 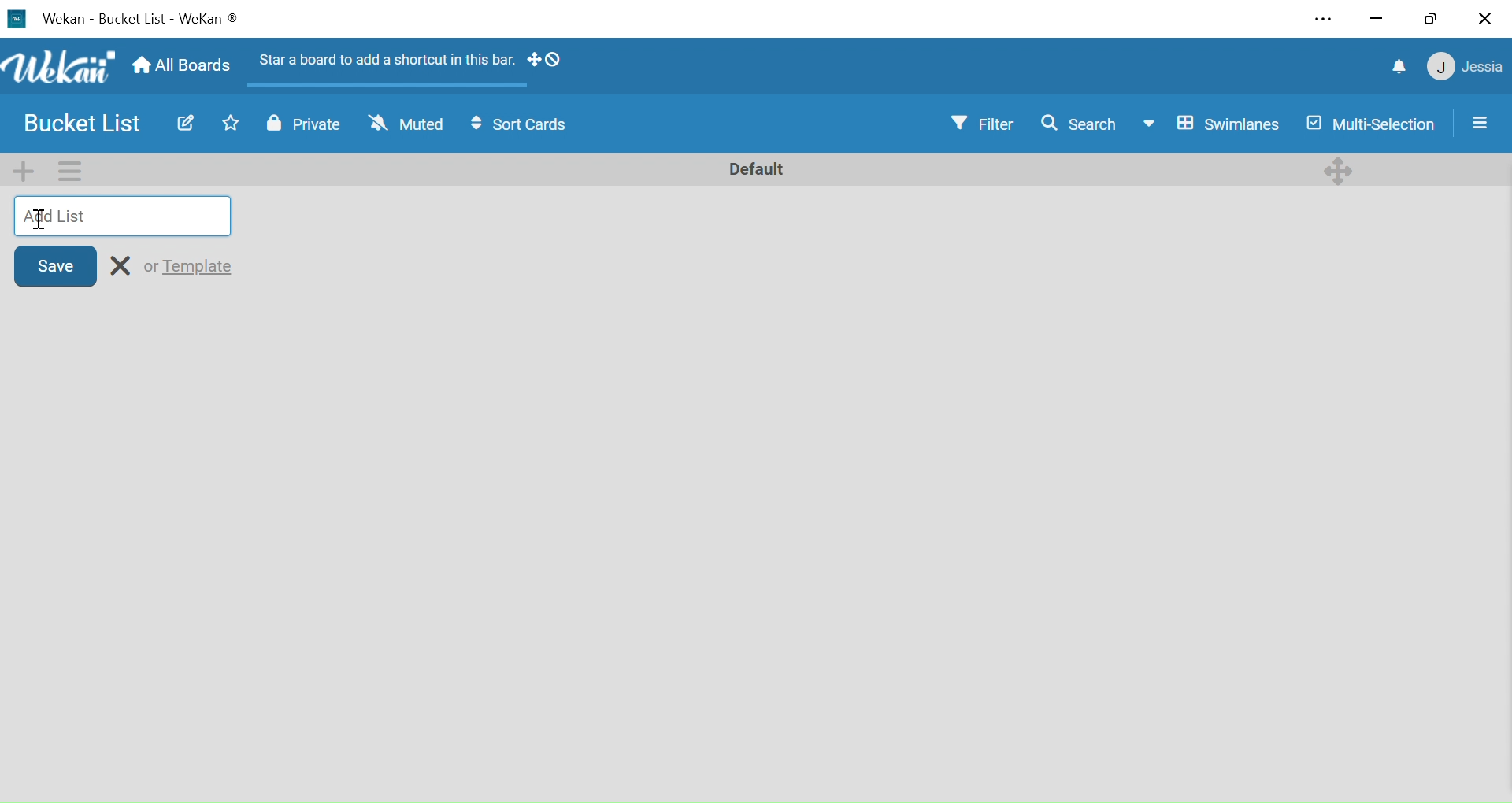 I want to click on multi-Selection, so click(x=1369, y=124).